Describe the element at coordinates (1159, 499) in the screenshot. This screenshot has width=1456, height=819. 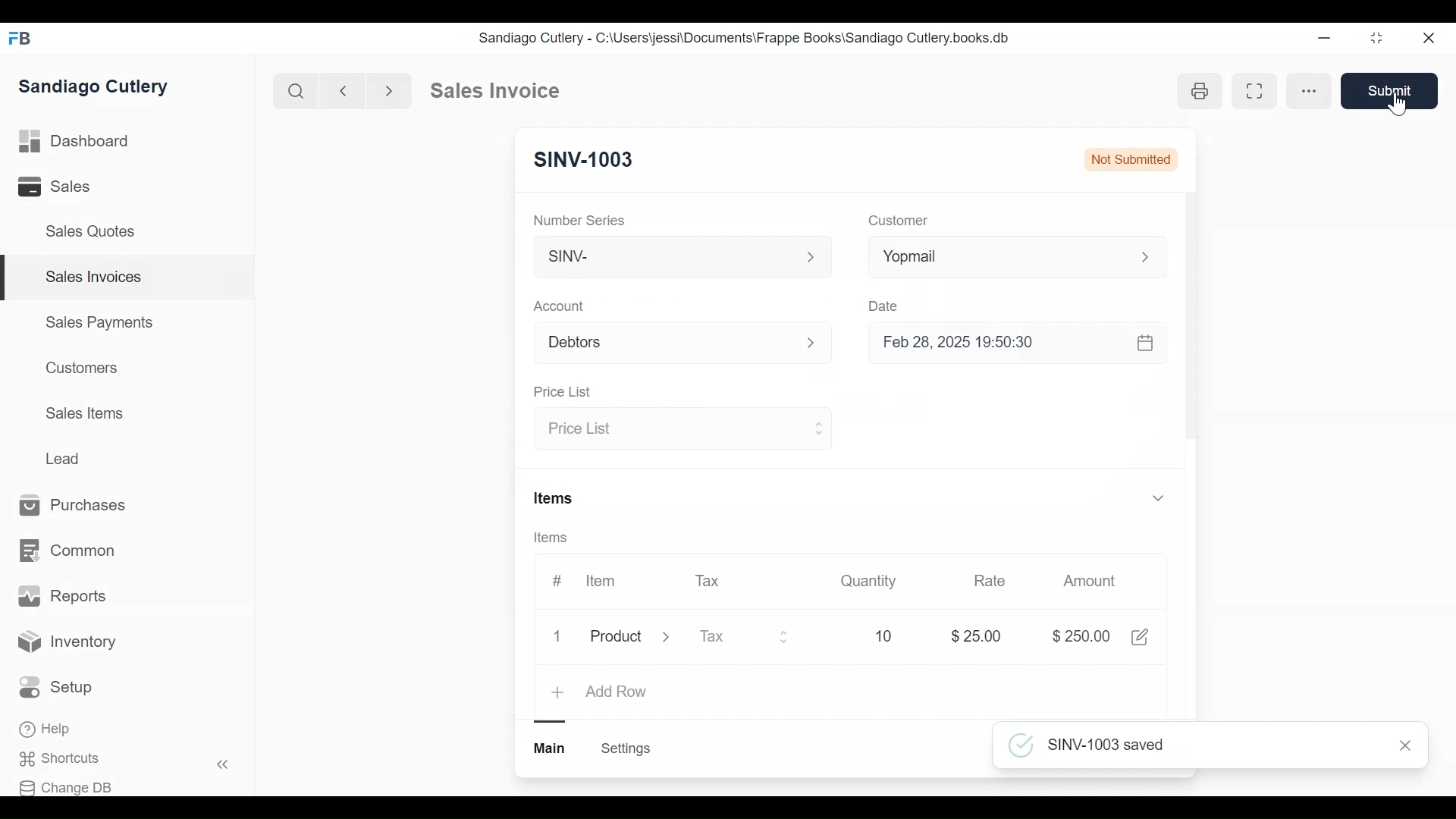
I see `v` at that location.